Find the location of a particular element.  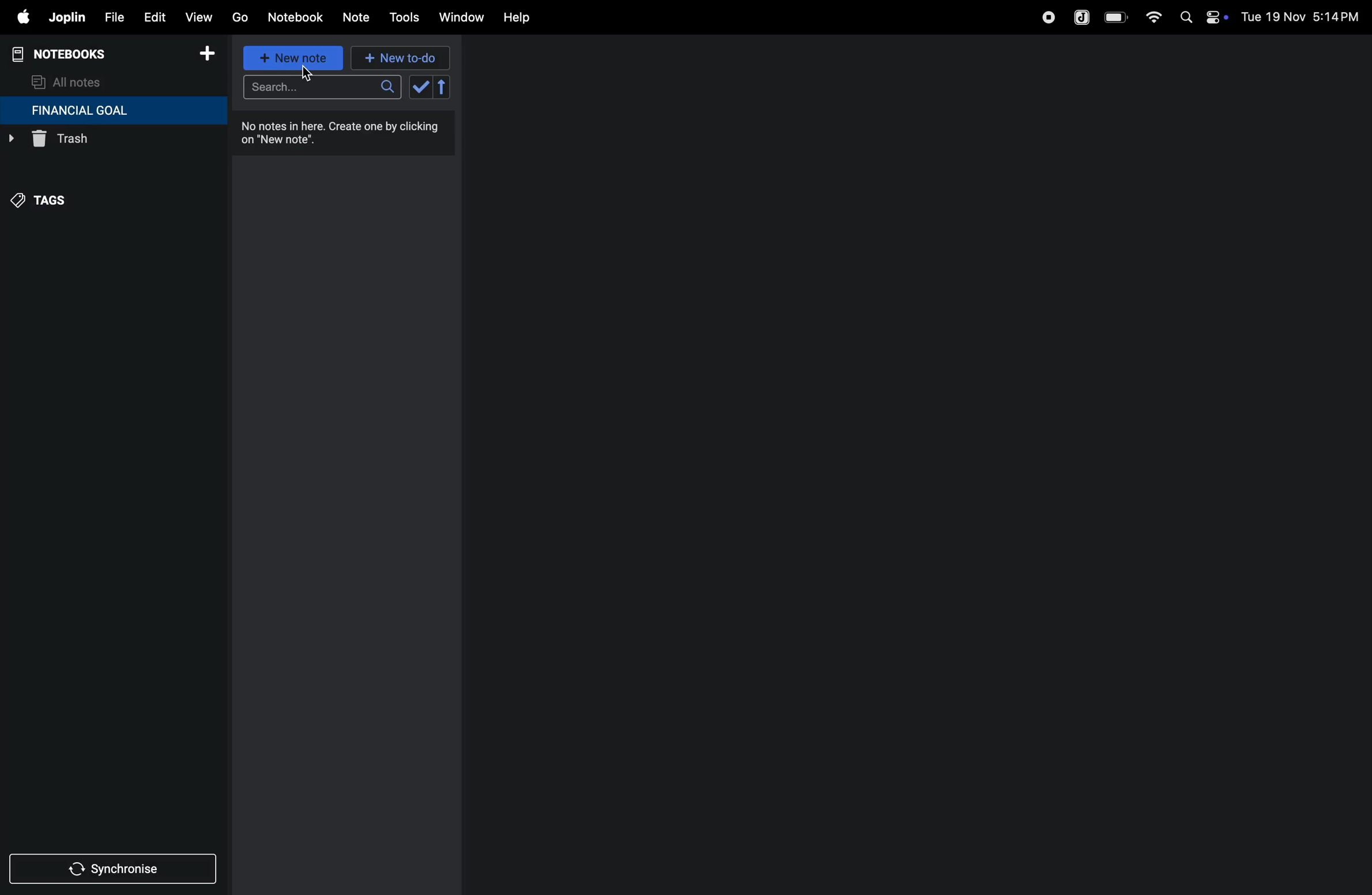

edit is located at coordinates (149, 14).